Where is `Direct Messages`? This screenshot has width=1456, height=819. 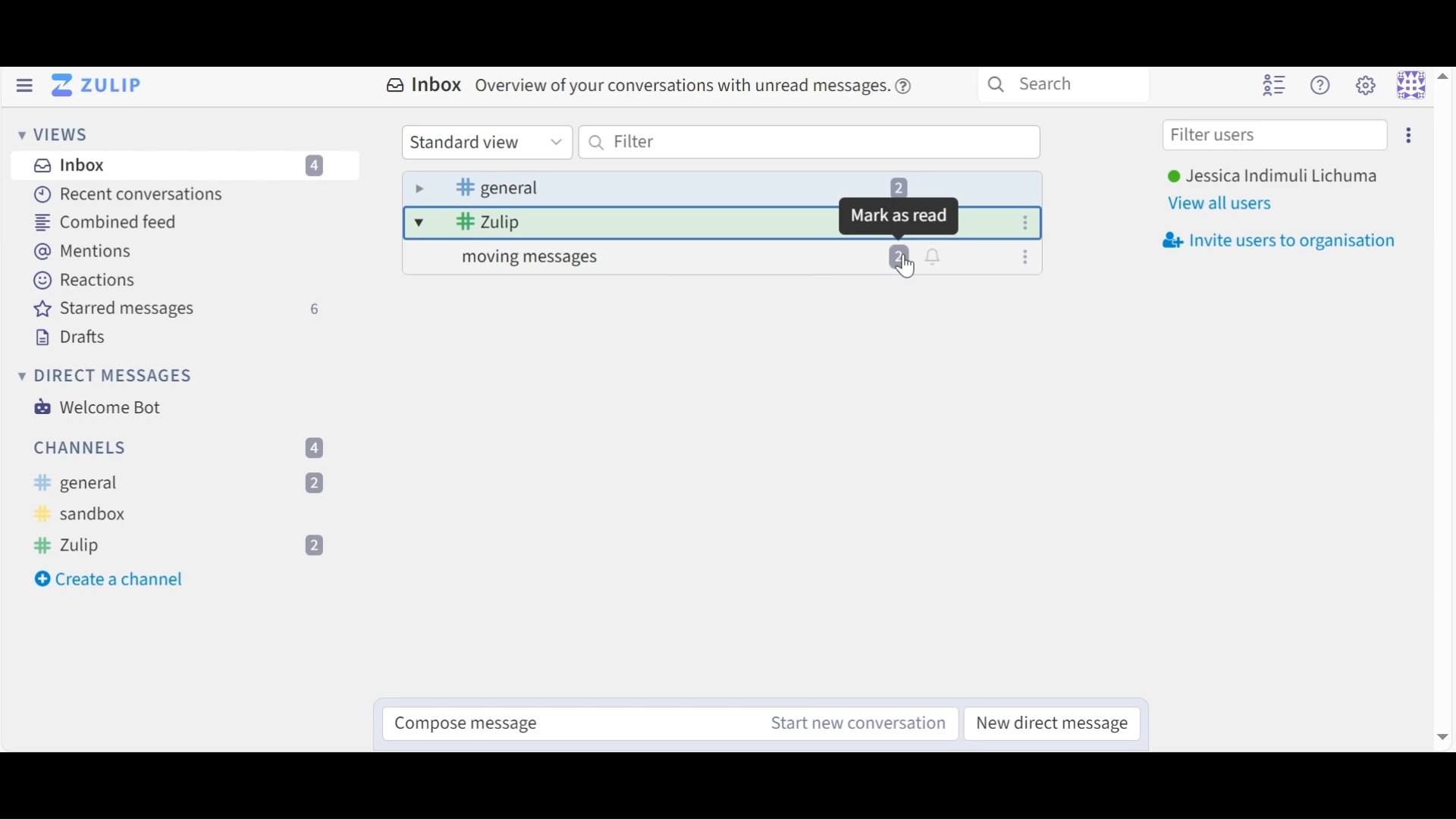
Direct Messages is located at coordinates (112, 375).